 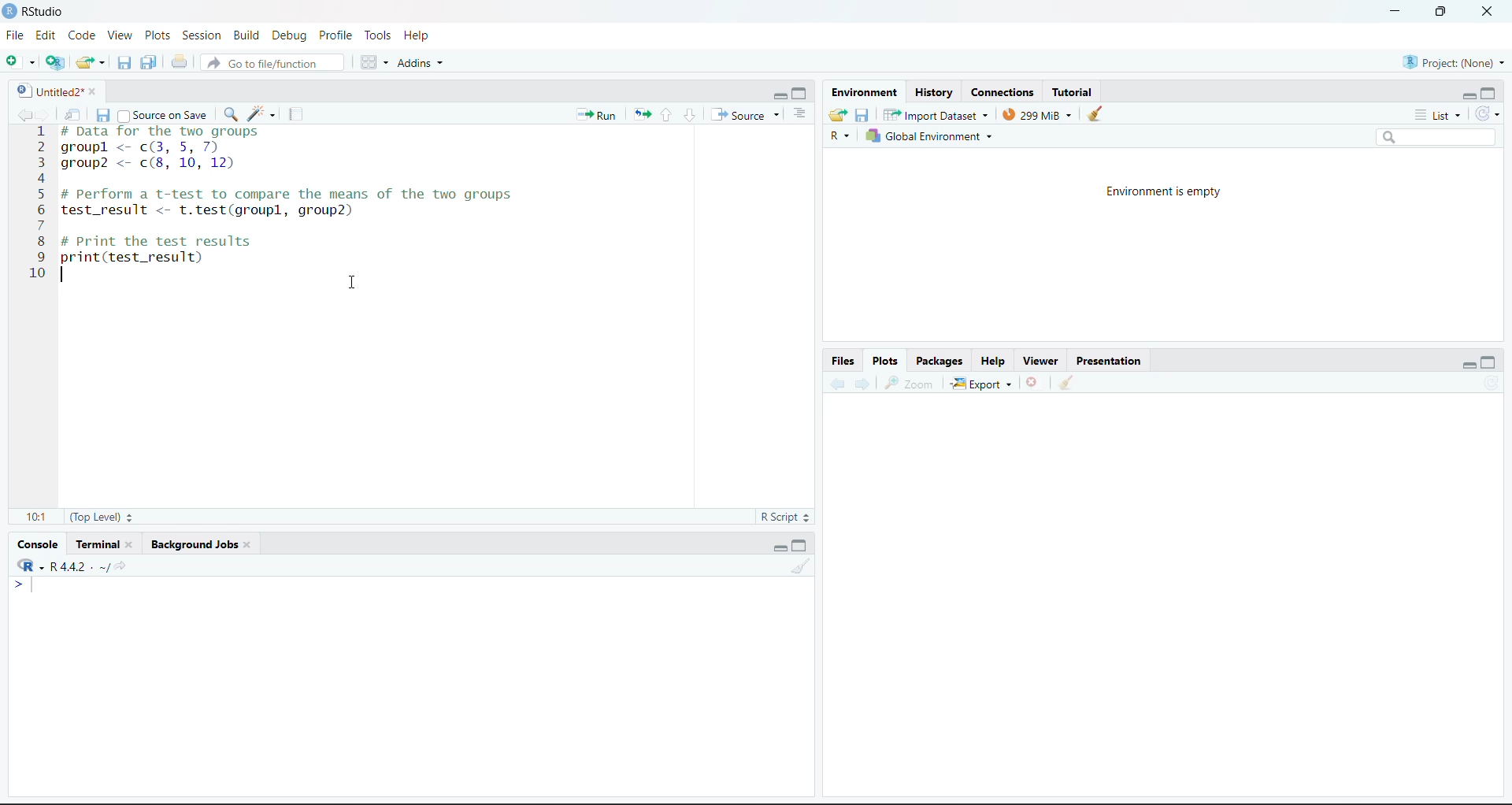 What do you see at coordinates (35, 584) in the screenshot?
I see `text cursor` at bounding box center [35, 584].